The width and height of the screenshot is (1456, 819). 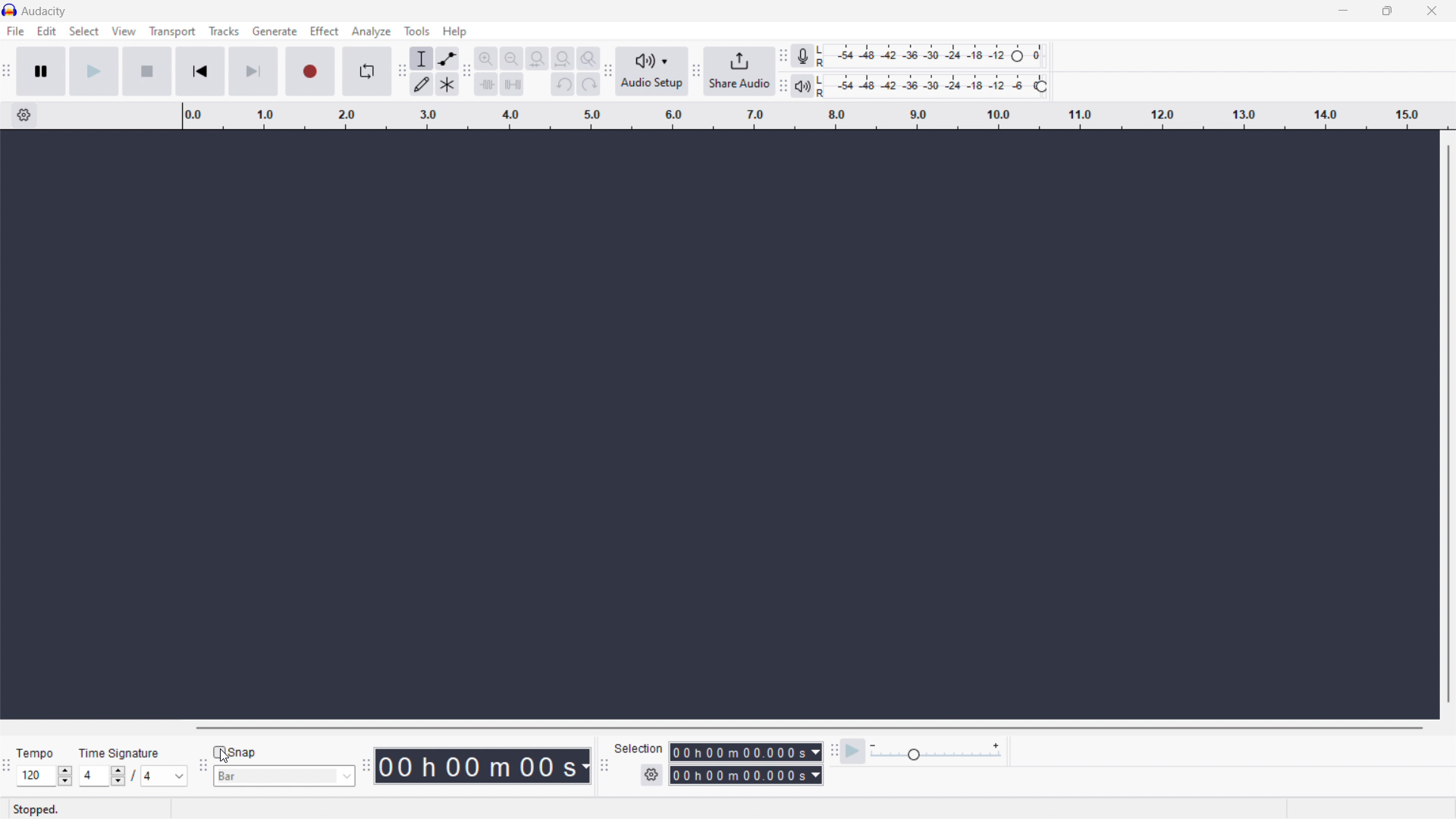 I want to click on playback meter toolbar, so click(x=783, y=86).